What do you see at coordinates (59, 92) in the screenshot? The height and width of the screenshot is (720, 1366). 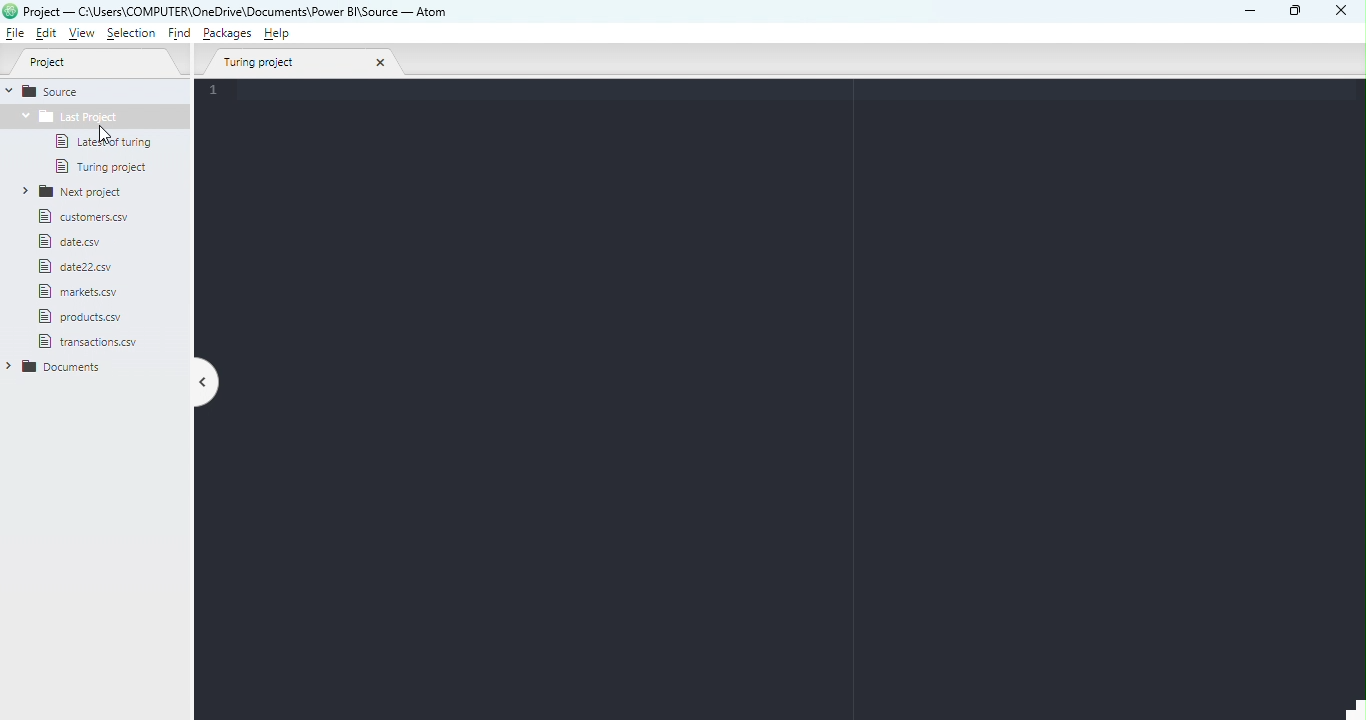 I see `Source` at bounding box center [59, 92].